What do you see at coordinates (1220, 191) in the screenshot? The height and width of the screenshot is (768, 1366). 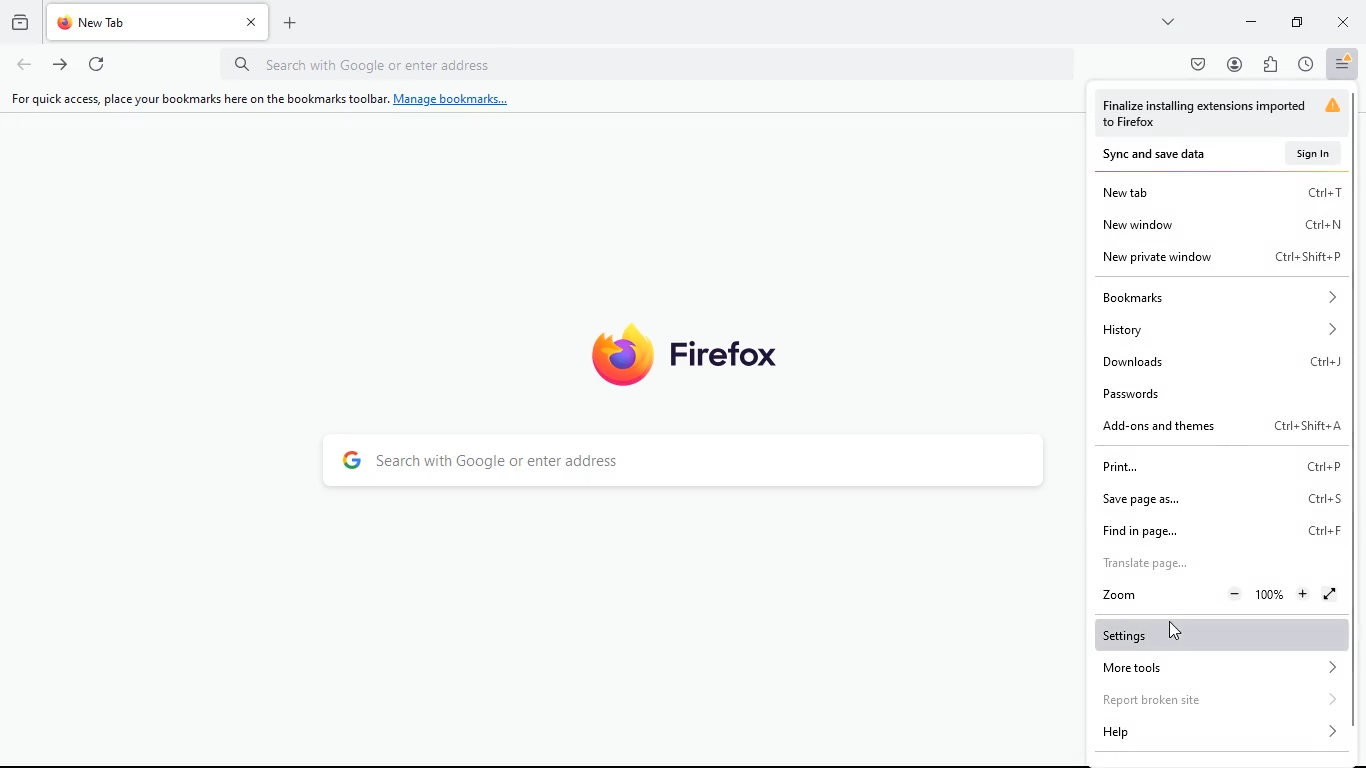 I see `new tab` at bounding box center [1220, 191].